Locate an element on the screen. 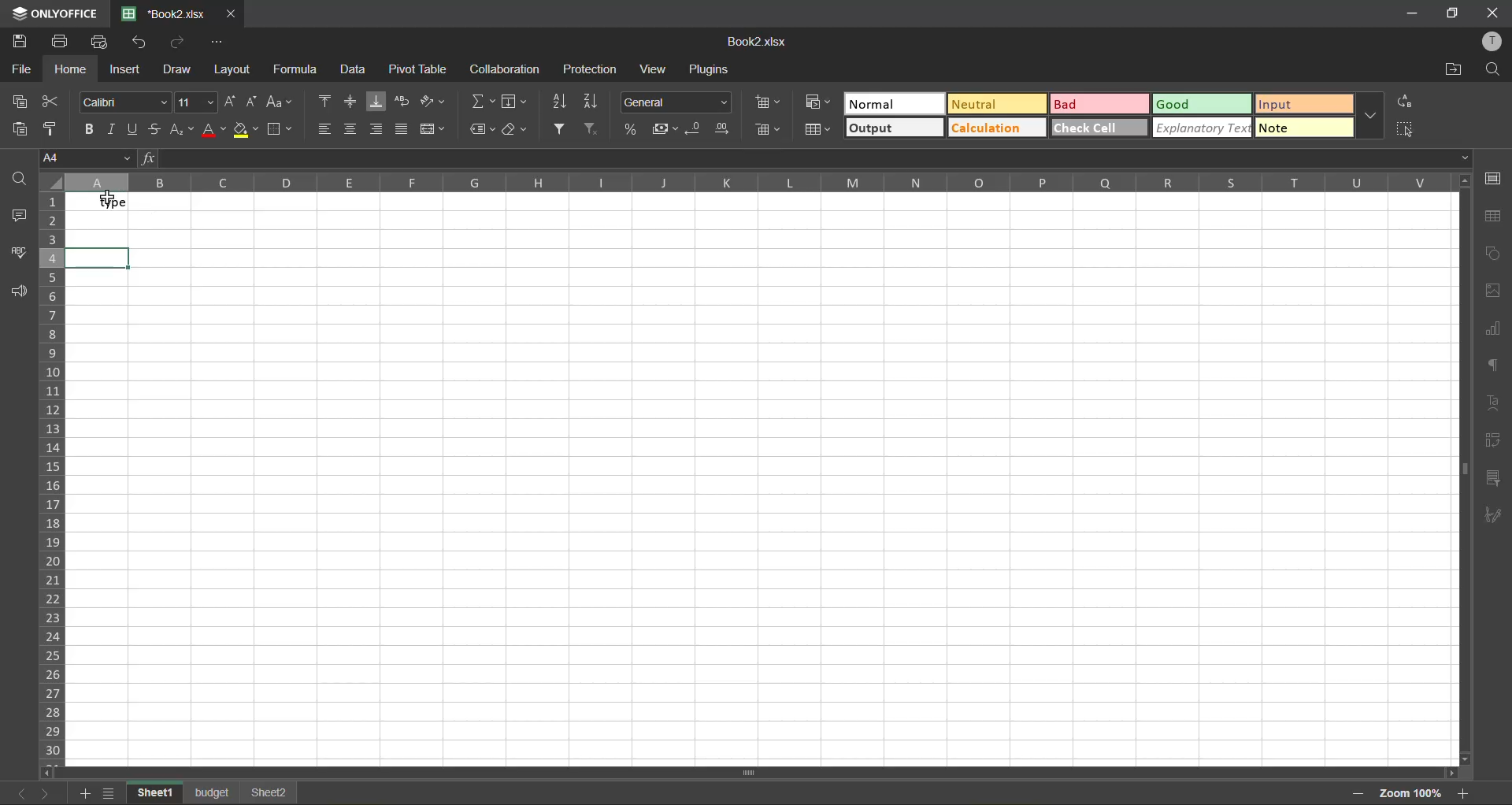 Image resolution: width=1512 pixels, height=805 pixels. align bottom is located at coordinates (380, 98).